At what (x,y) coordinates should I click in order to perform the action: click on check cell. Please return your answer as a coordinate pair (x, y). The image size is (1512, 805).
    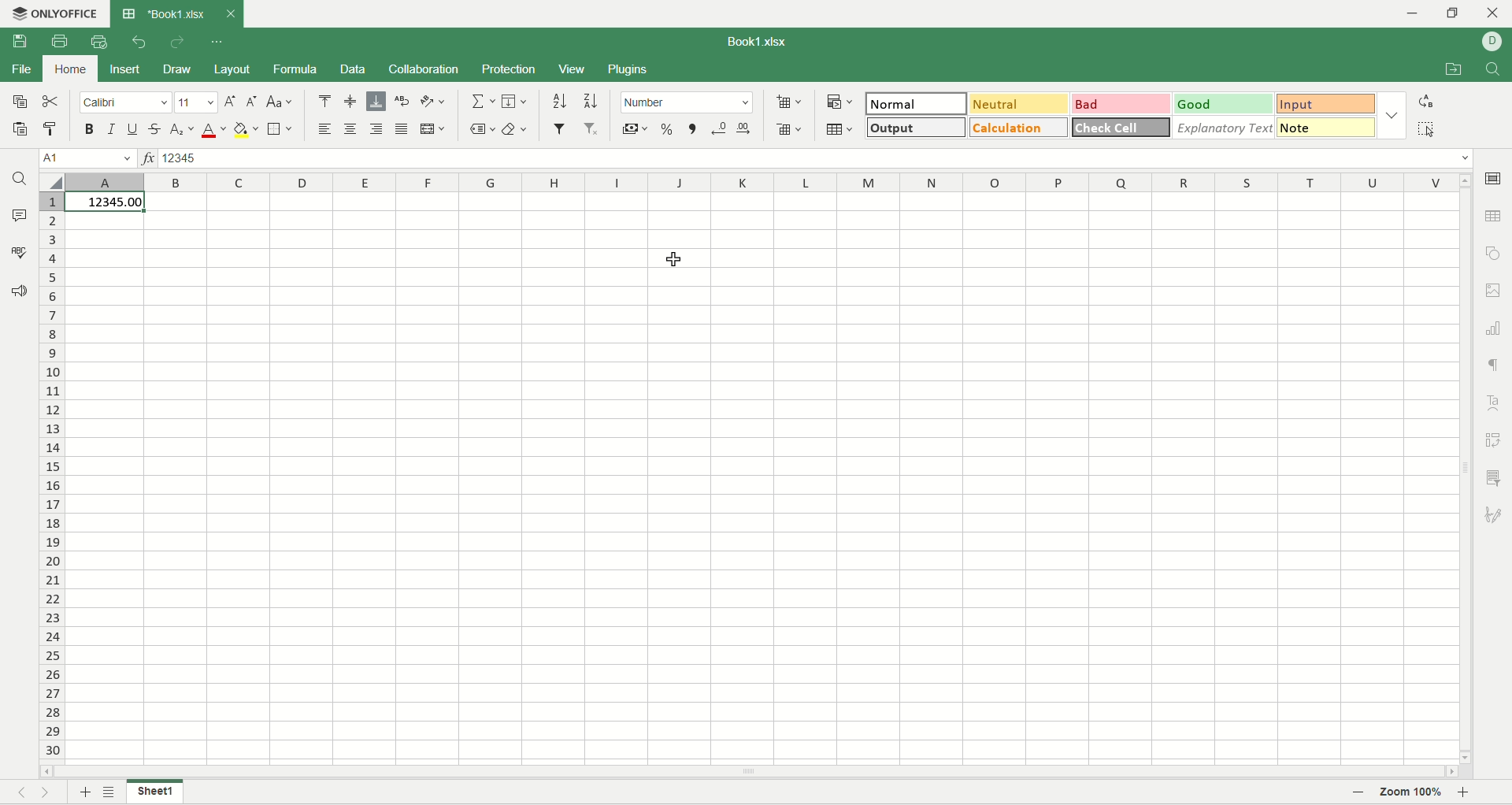
    Looking at the image, I should click on (1120, 128).